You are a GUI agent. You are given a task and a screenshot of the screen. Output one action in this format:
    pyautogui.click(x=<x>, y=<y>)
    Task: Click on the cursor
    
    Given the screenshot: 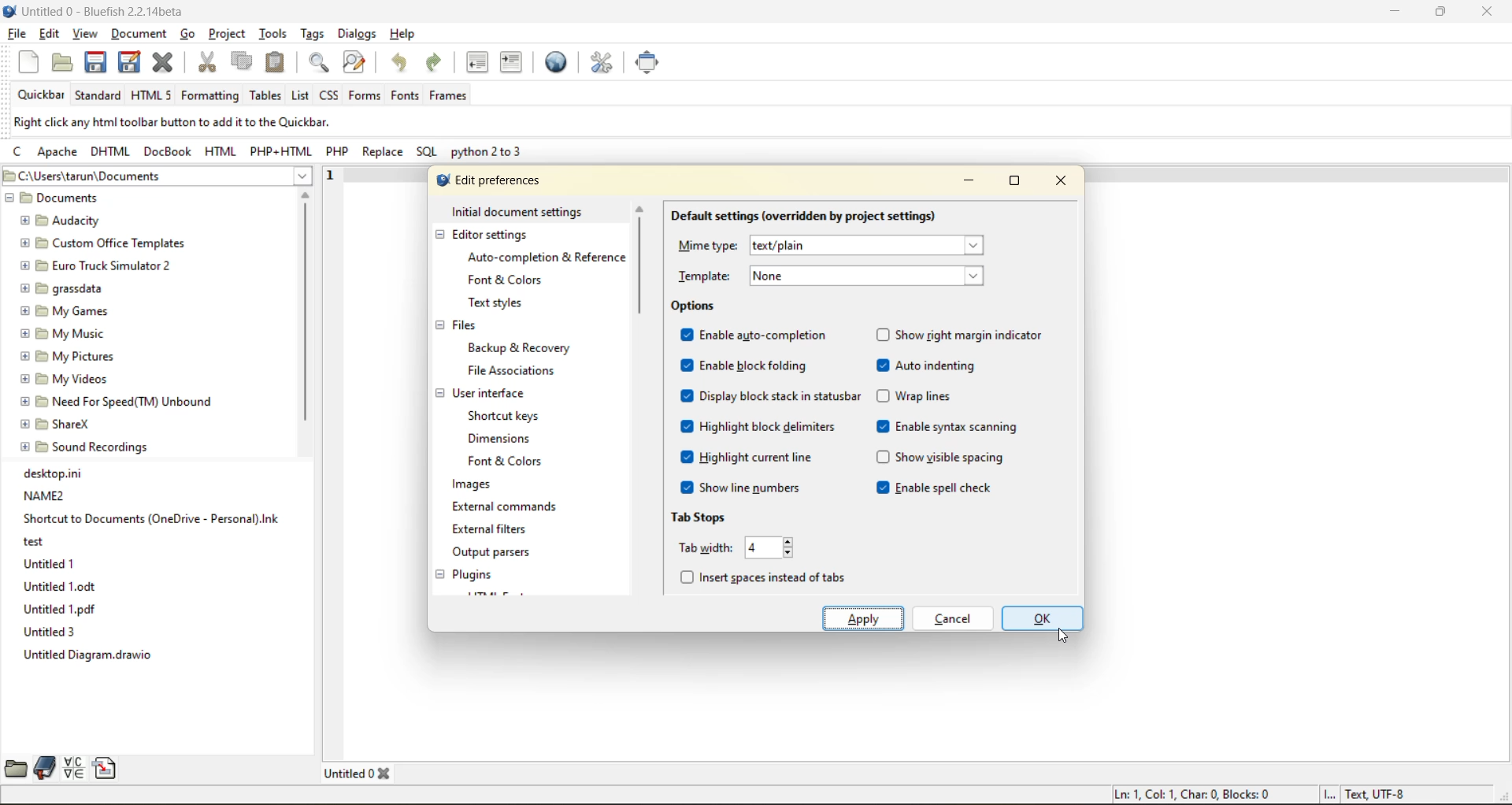 What is the action you would take?
    pyautogui.click(x=1066, y=638)
    